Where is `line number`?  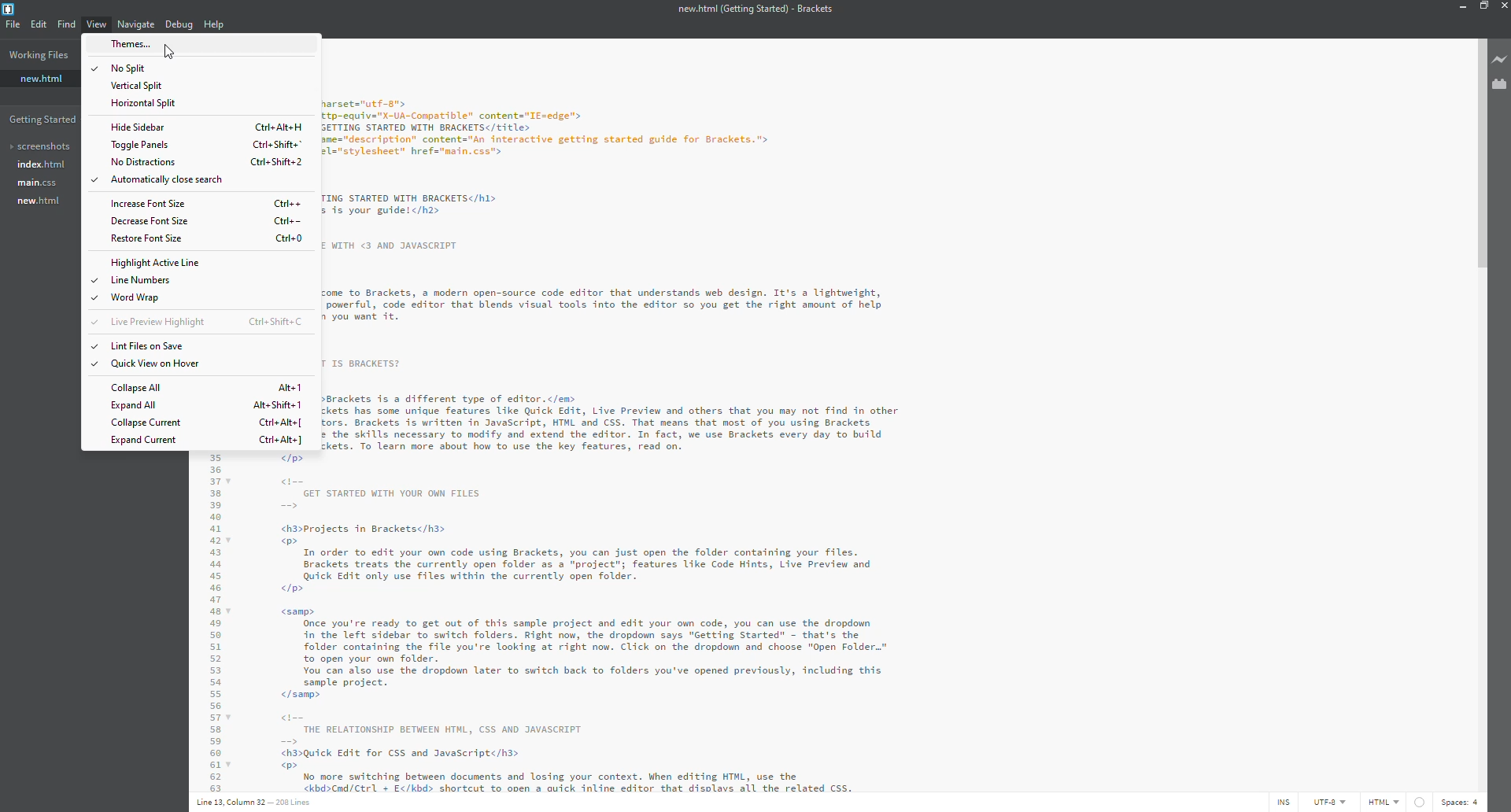 line number is located at coordinates (256, 802).